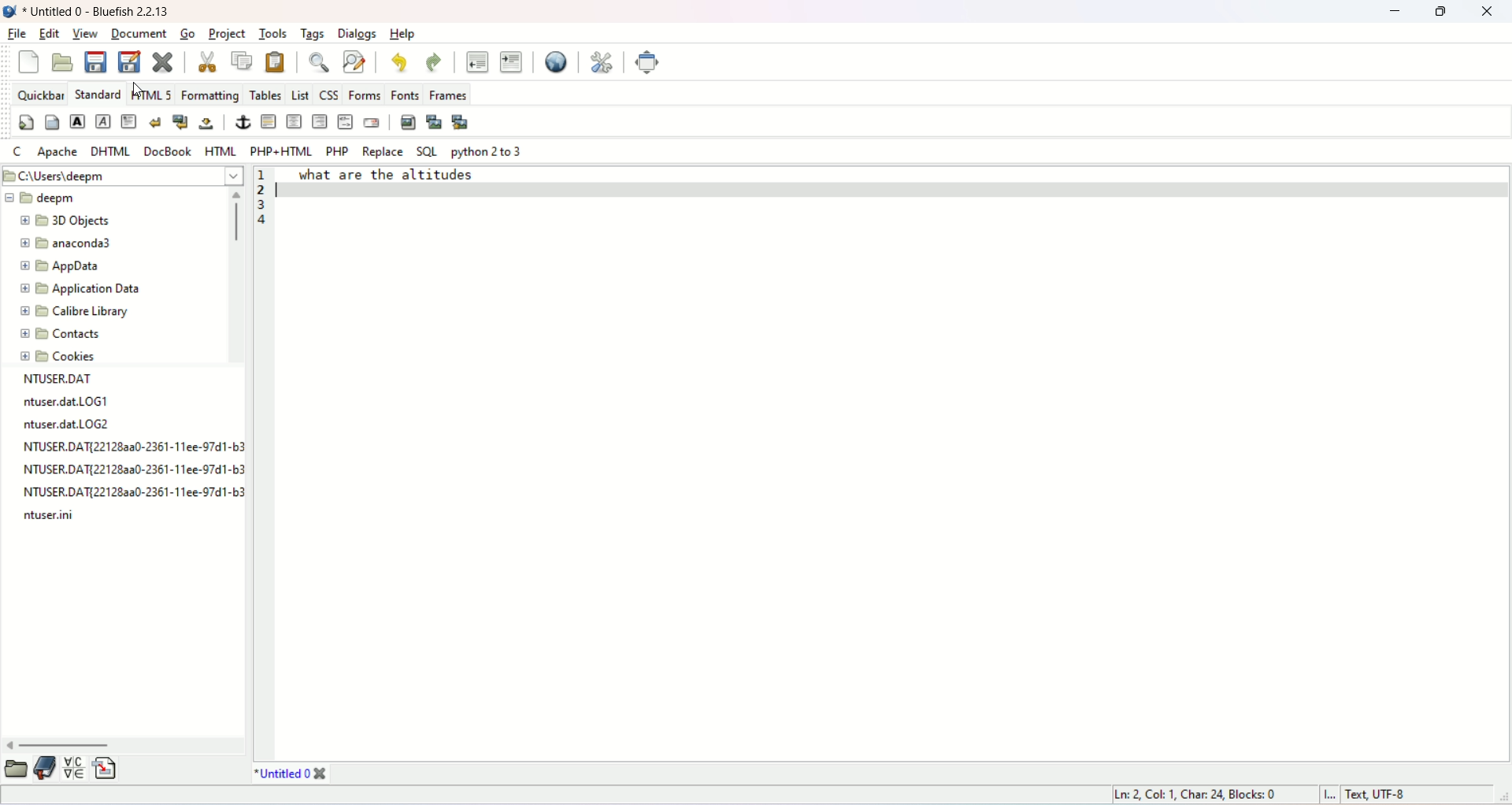 This screenshot has width=1512, height=805. I want to click on minimize, so click(1395, 13).